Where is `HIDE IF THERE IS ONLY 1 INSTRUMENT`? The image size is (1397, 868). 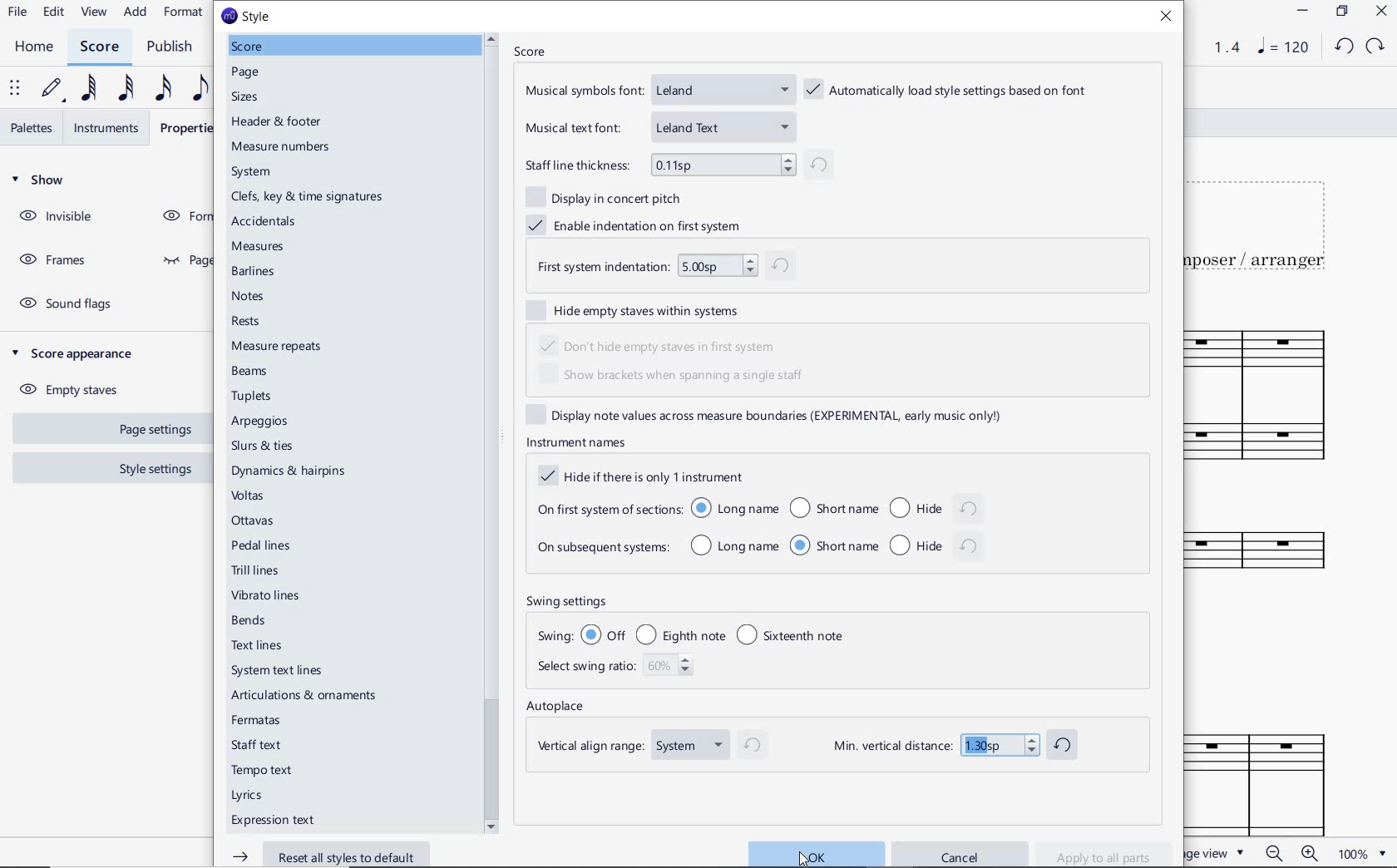 HIDE IF THERE IS ONLY 1 INSTRUMENT is located at coordinates (638, 476).